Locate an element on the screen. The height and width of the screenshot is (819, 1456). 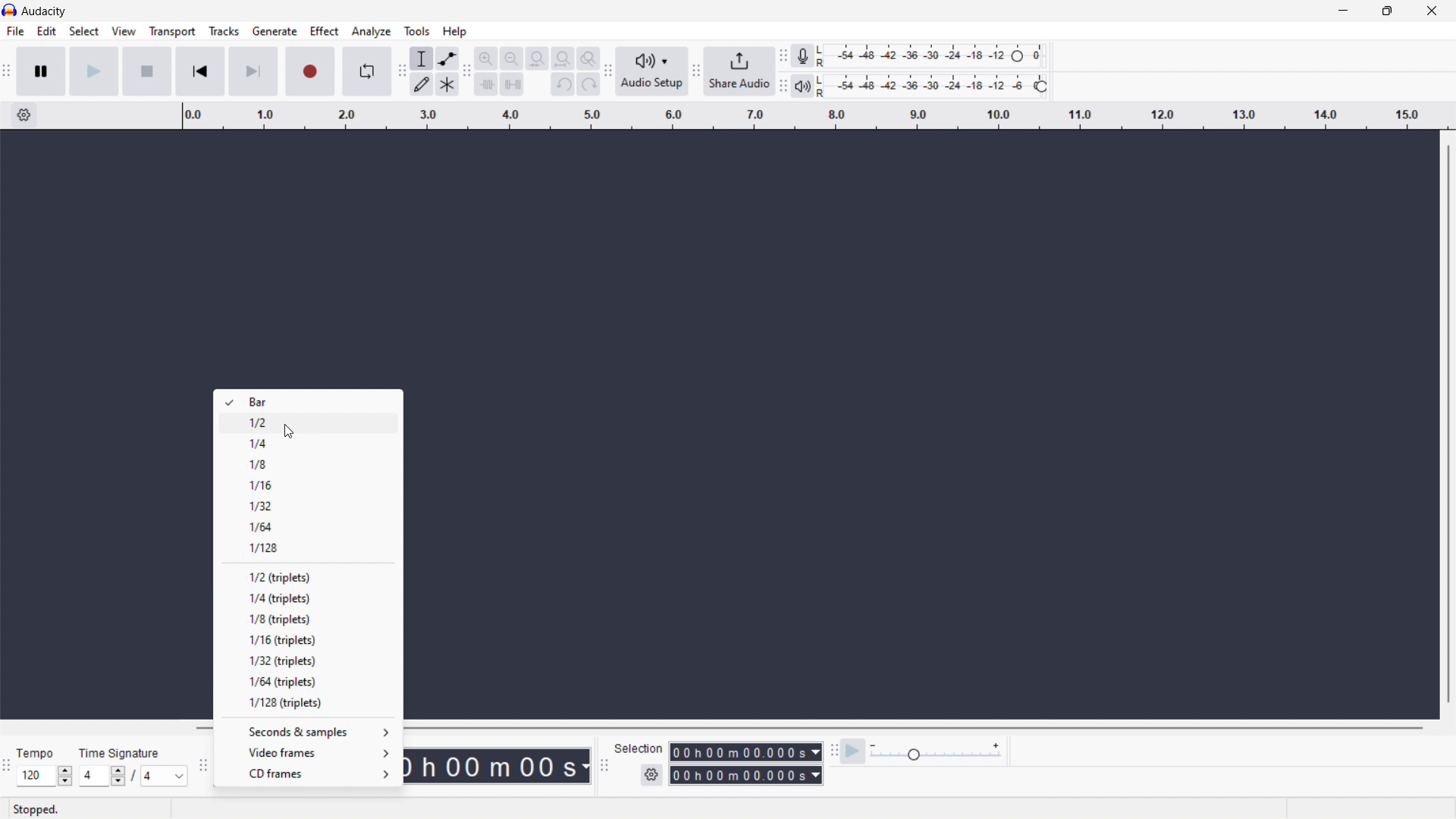
time signature is located at coordinates (133, 776).